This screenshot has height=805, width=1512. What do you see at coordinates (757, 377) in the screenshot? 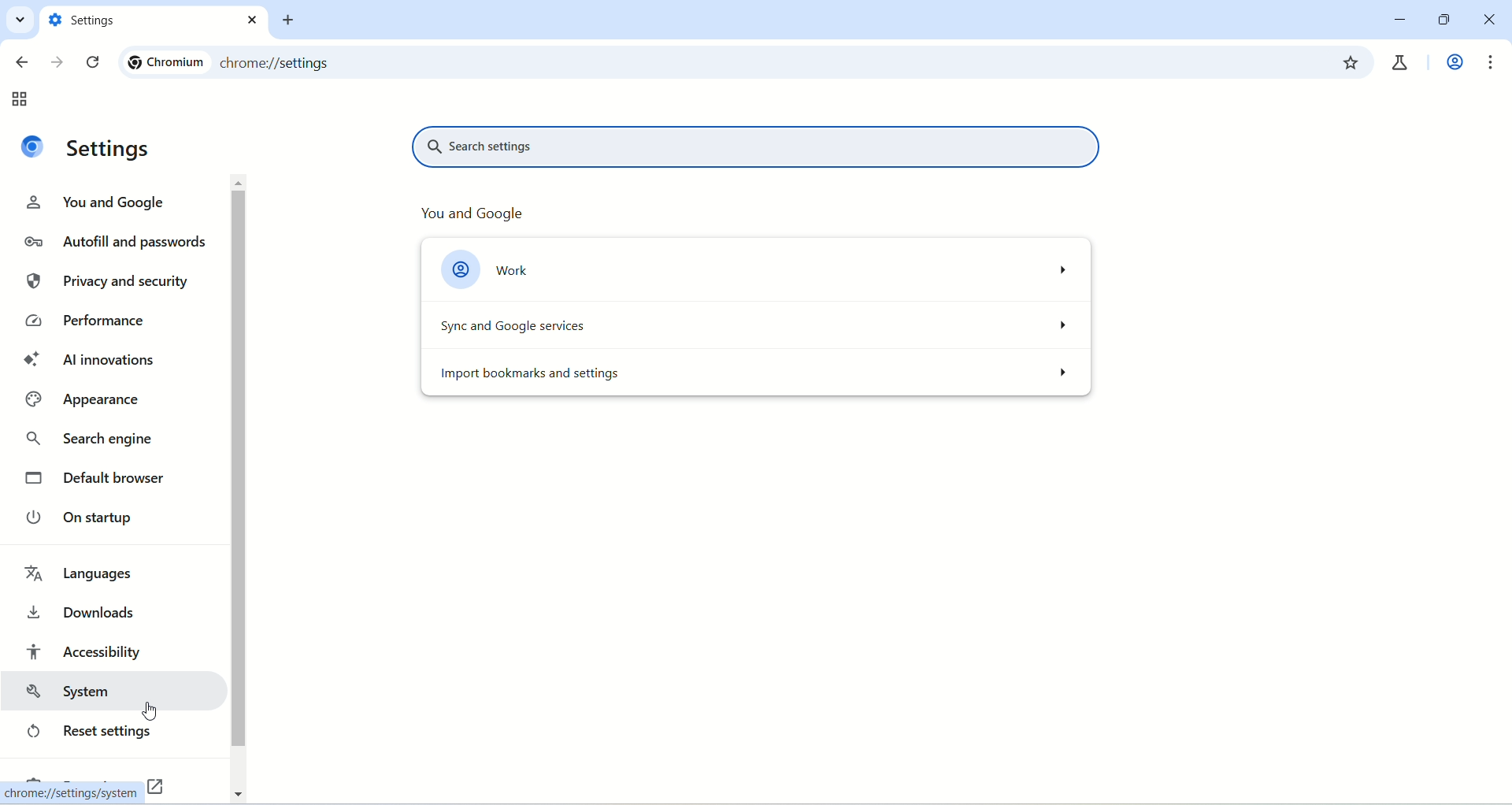
I see `import bookmarks and settings` at bounding box center [757, 377].